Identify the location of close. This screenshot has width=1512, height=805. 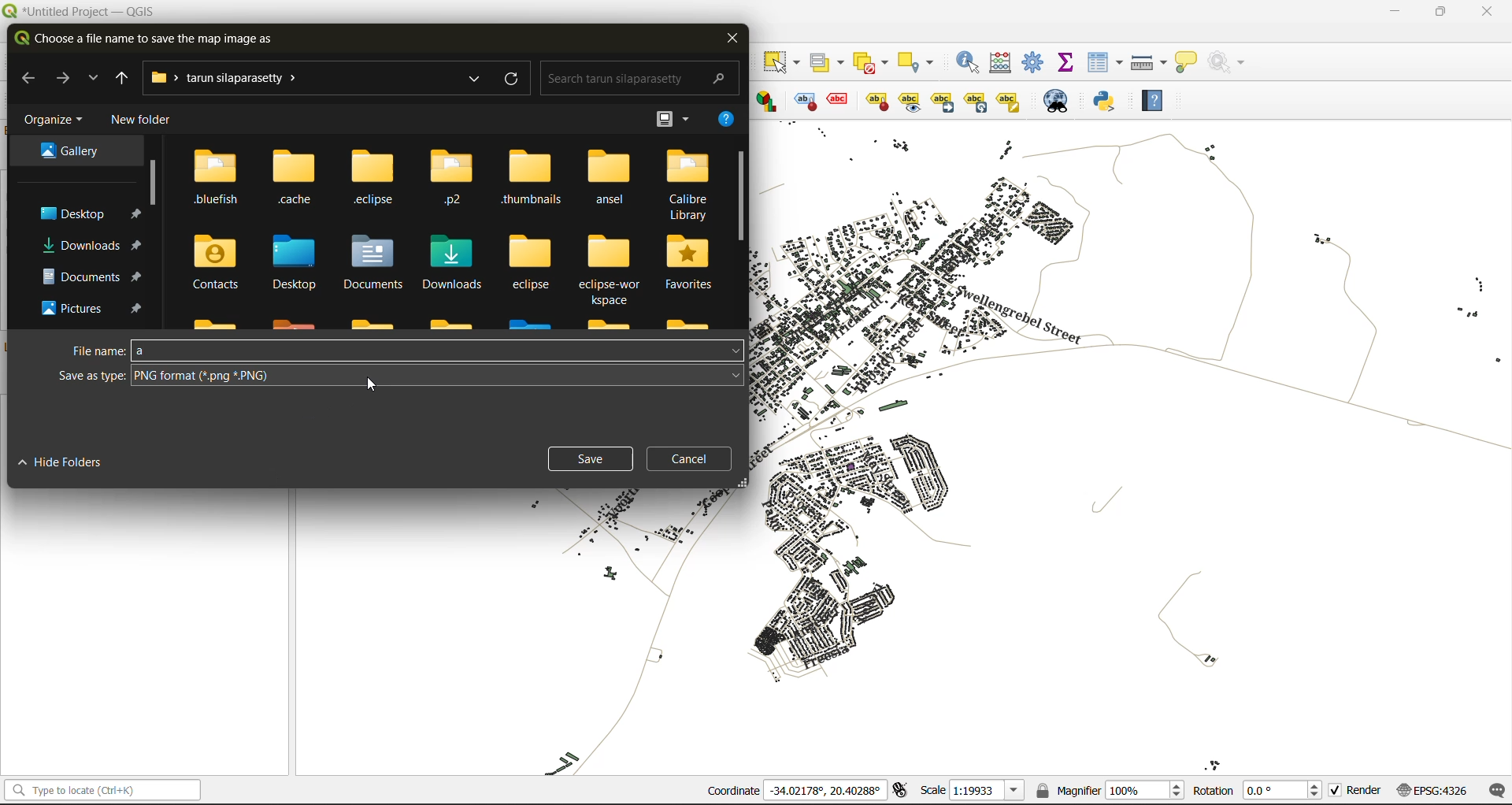
(732, 39).